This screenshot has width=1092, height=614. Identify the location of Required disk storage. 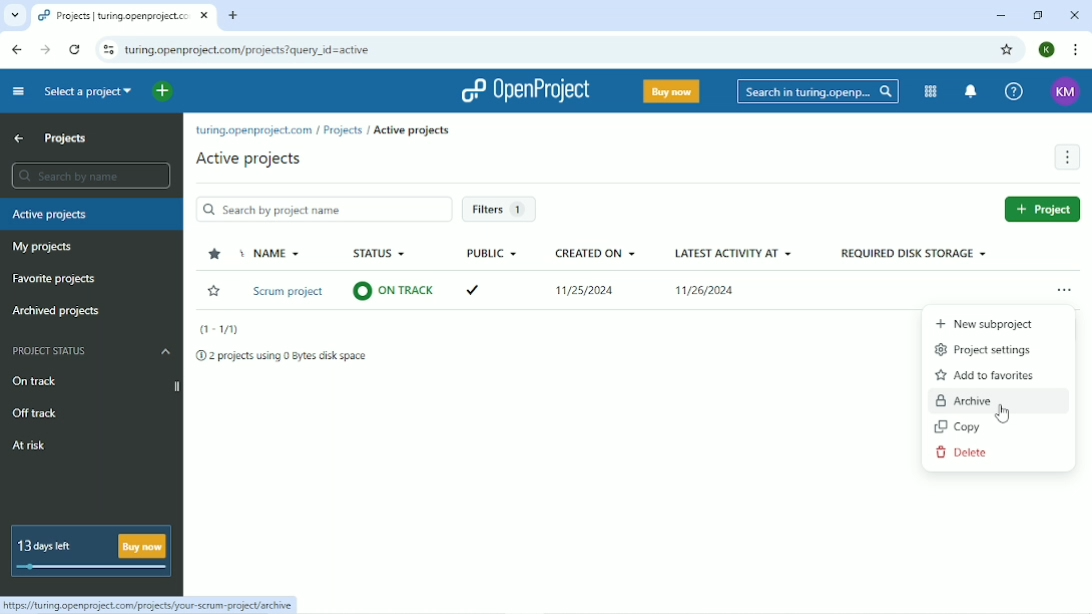
(912, 254).